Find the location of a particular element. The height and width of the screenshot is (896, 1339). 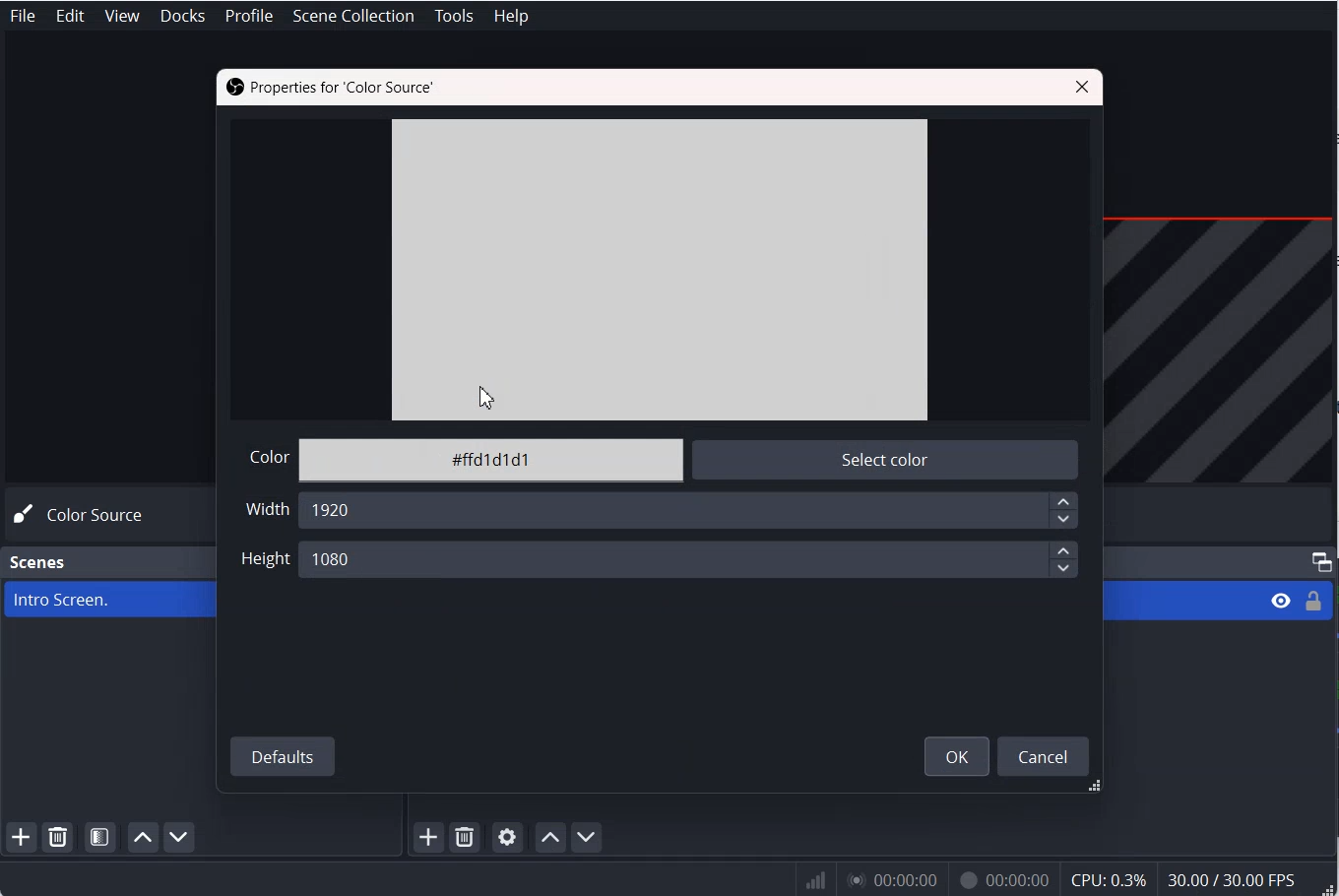

Lock is located at coordinates (1317, 600).